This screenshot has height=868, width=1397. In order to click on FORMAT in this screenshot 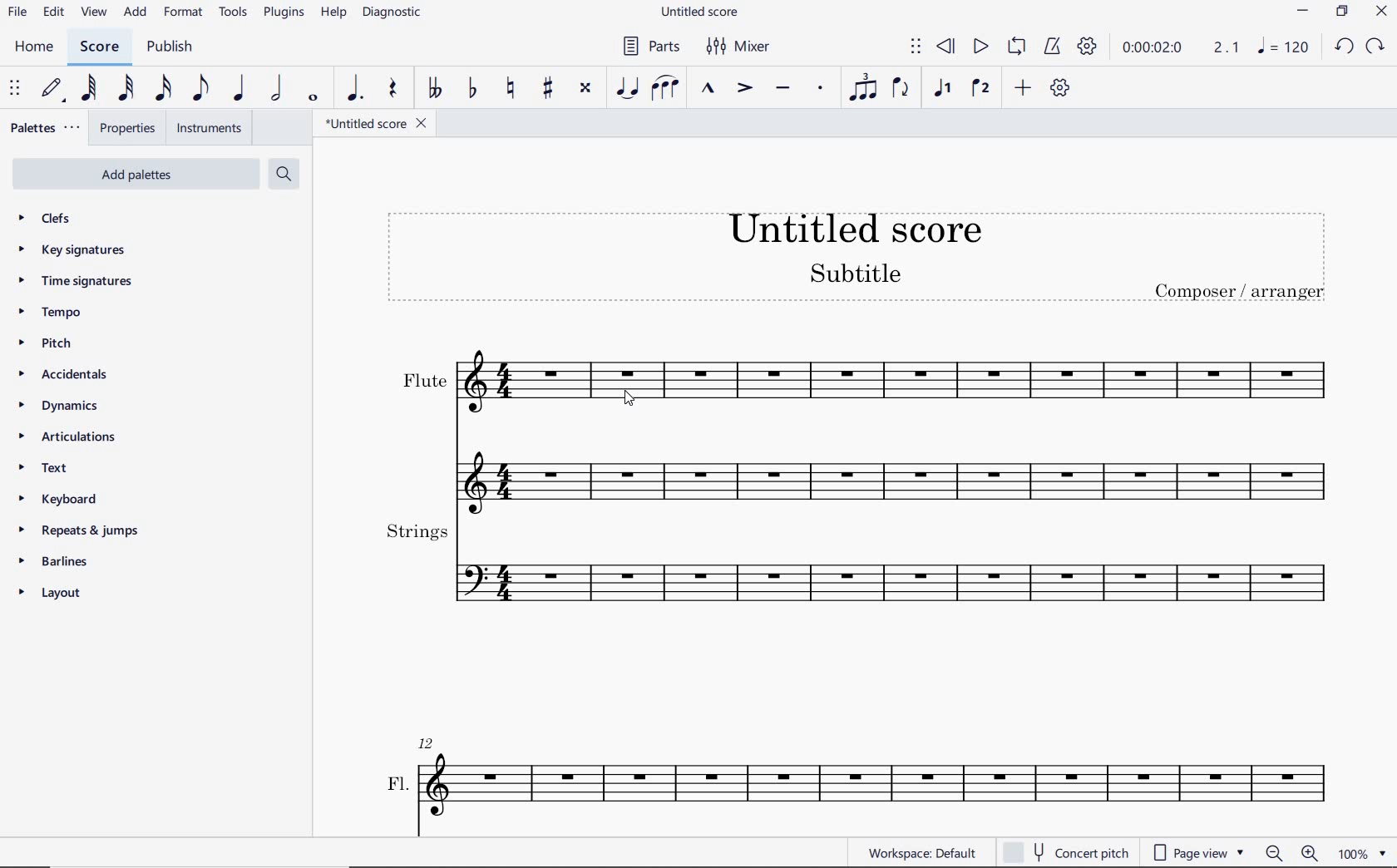, I will do `click(185, 11)`.